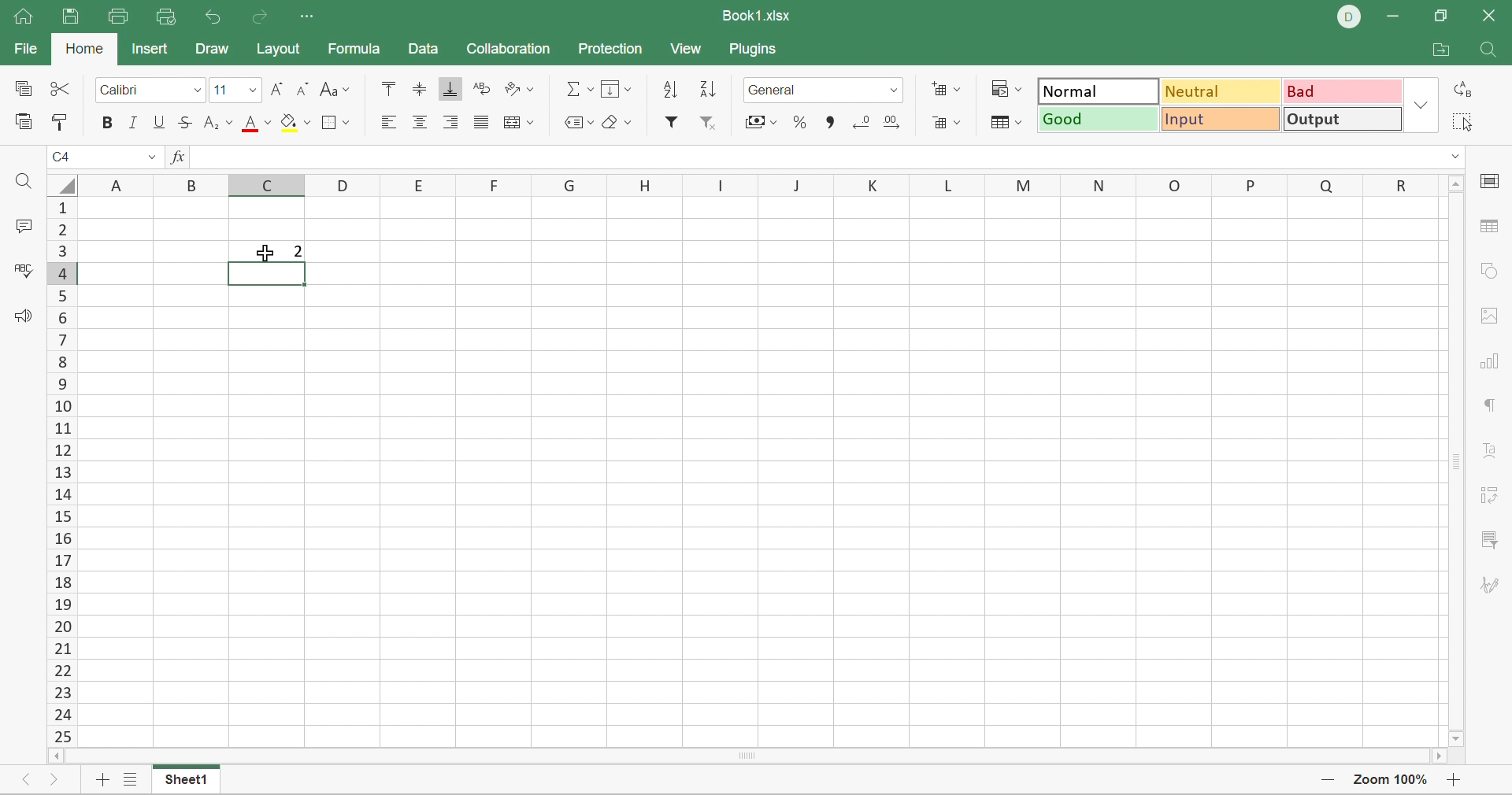 This screenshot has height=795, width=1512. Describe the element at coordinates (1485, 317) in the screenshot. I see `images settings` at that location.